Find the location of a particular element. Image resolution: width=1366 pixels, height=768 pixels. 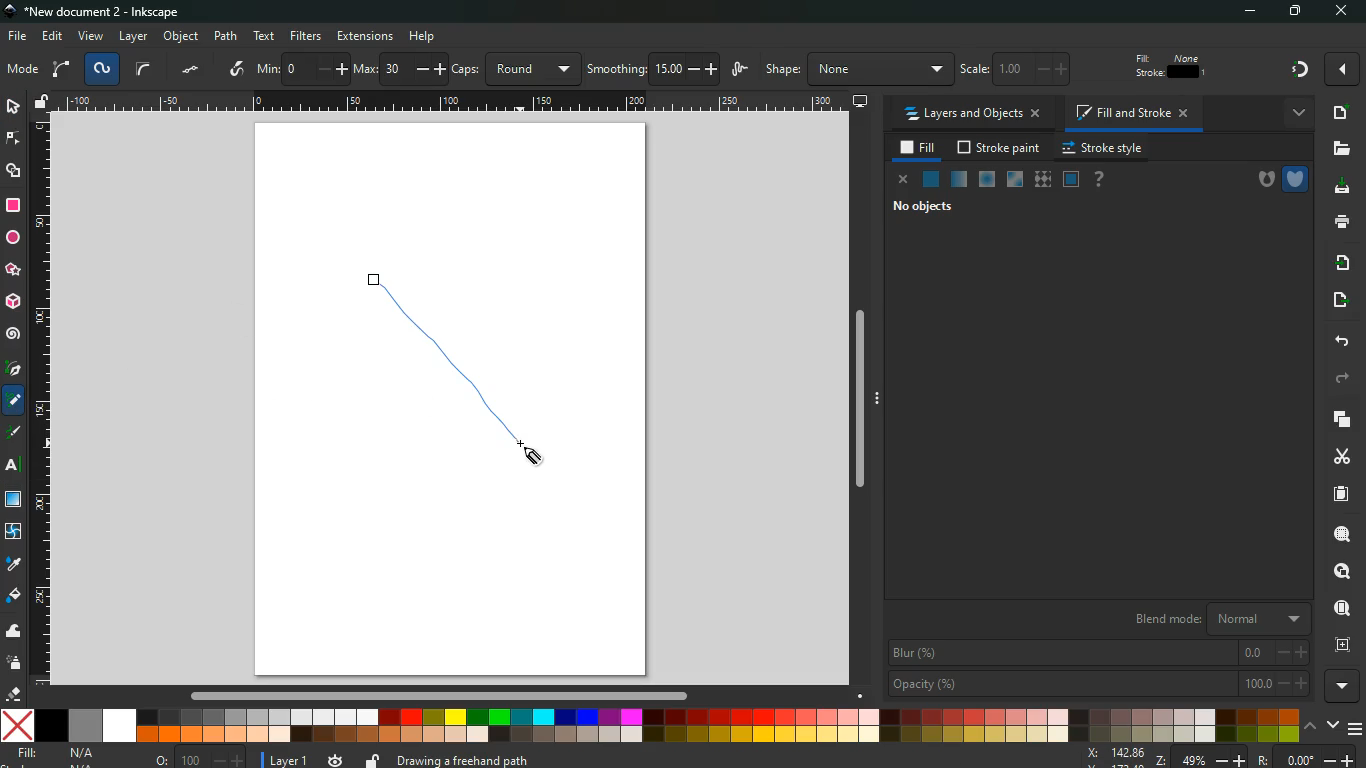

shape is located at coordinates (855, 70).